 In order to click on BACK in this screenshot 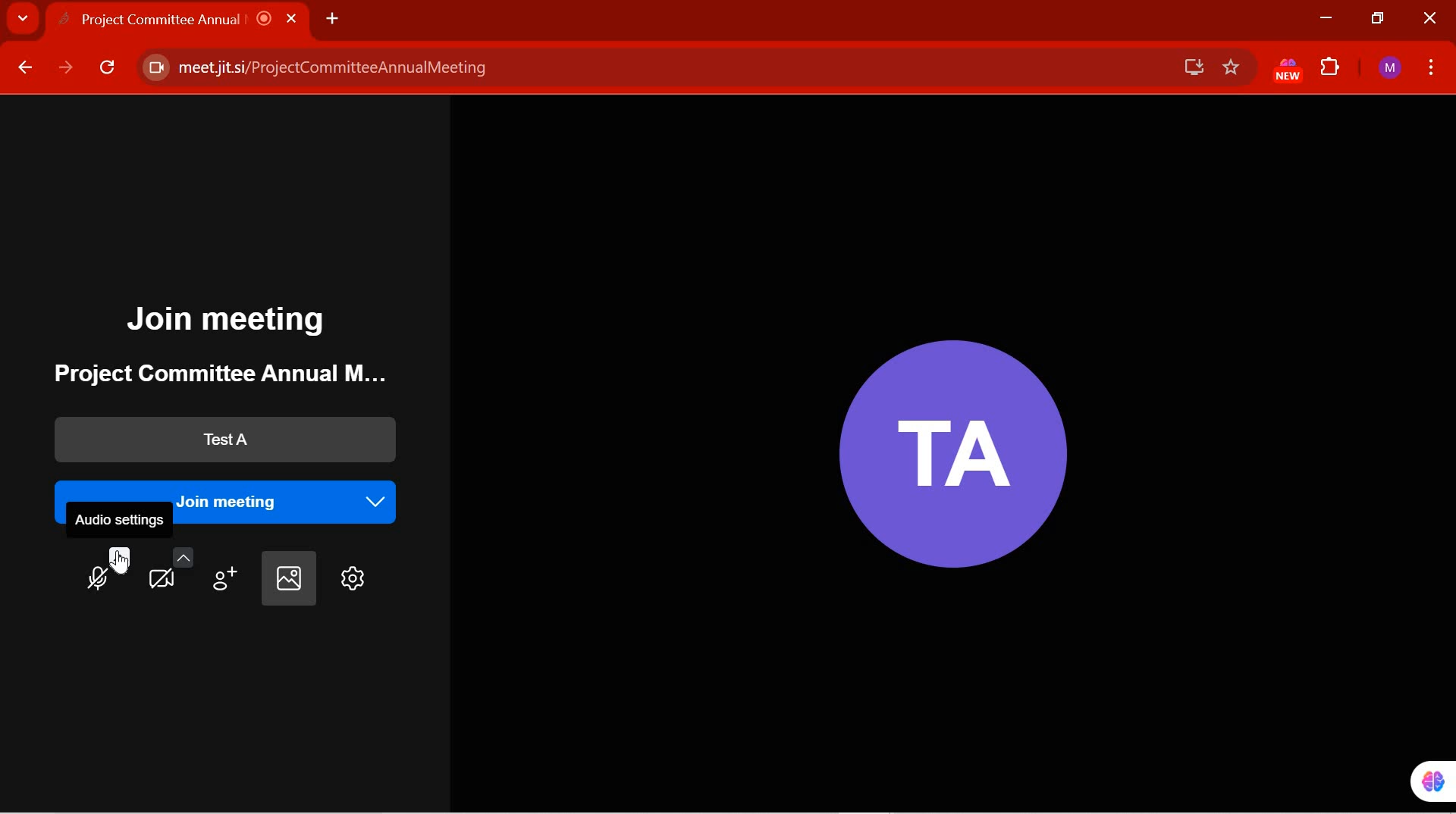, I will do `click(24, 68)`.